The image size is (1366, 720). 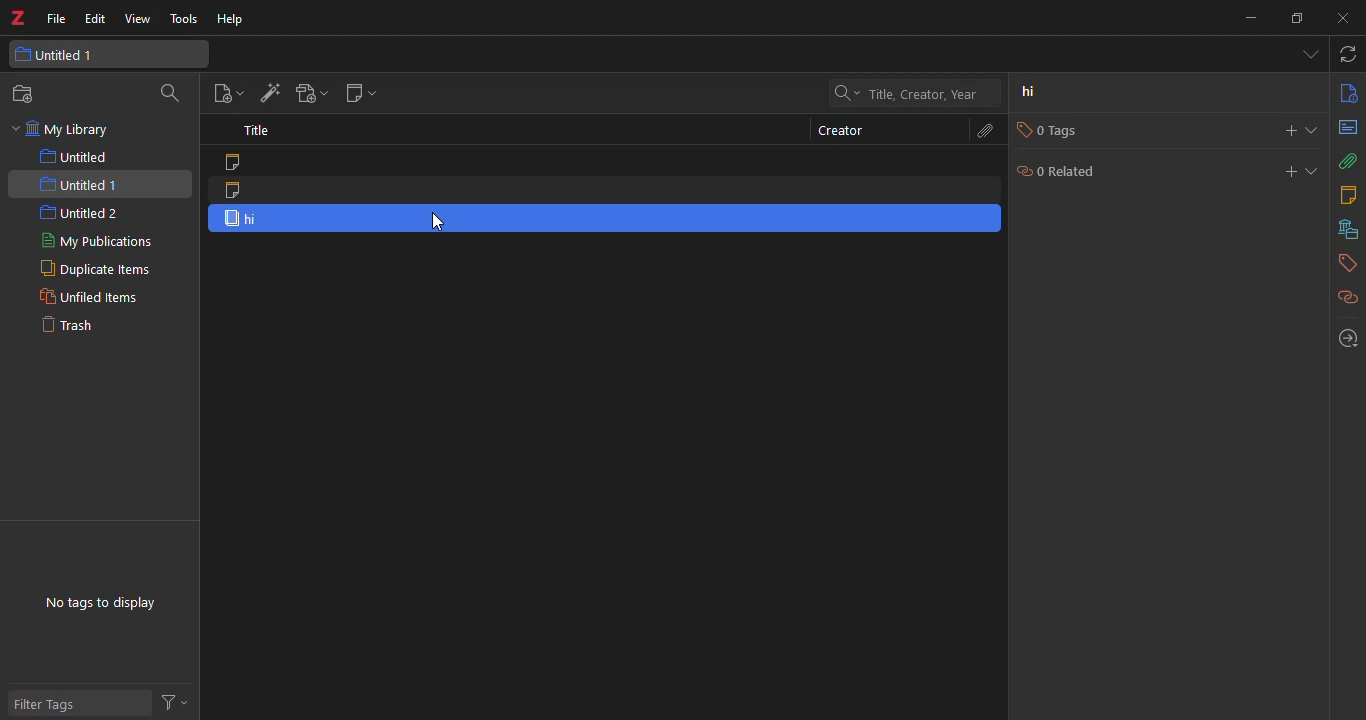 What do you see at coordinates (1314, 170) in the screenshot?
I see `expand` at bounding box center [1314, 170].